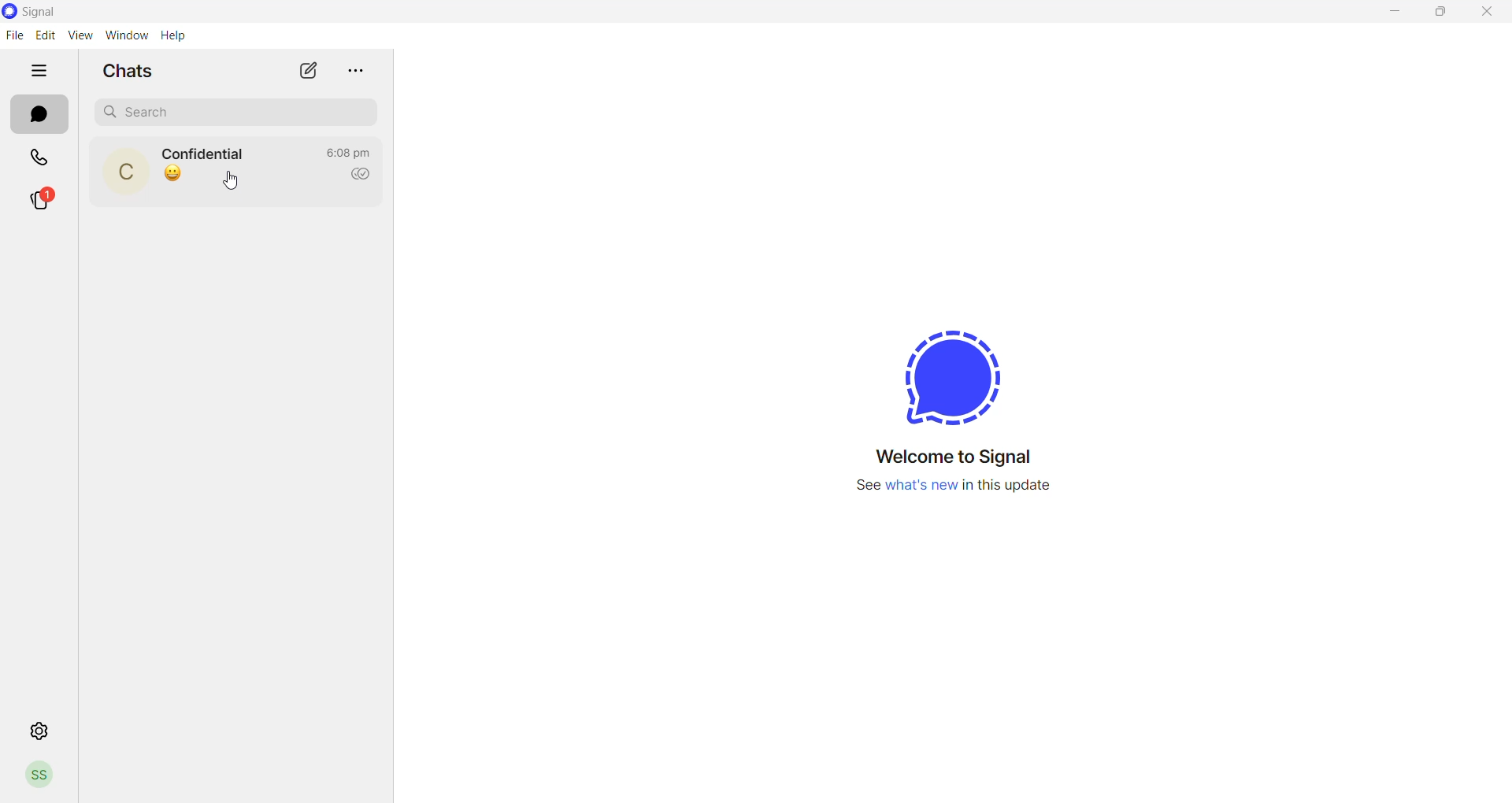 Image resolution: width=1512 pixels, height=803 pixels. Describe the element at coordinates (205, 151) in the screenshot. I see `contact name` at that location.